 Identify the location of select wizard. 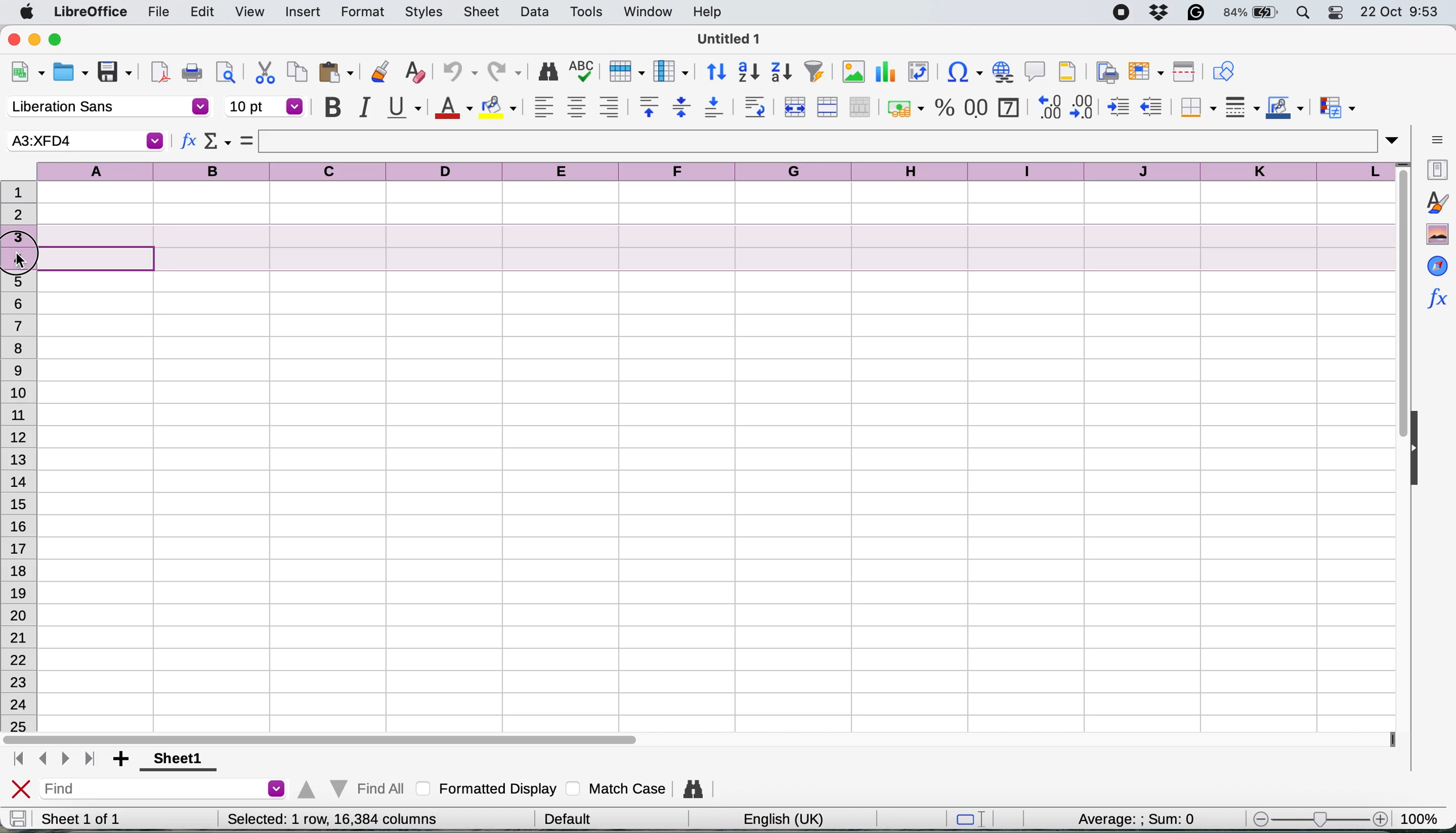
(218, 143).